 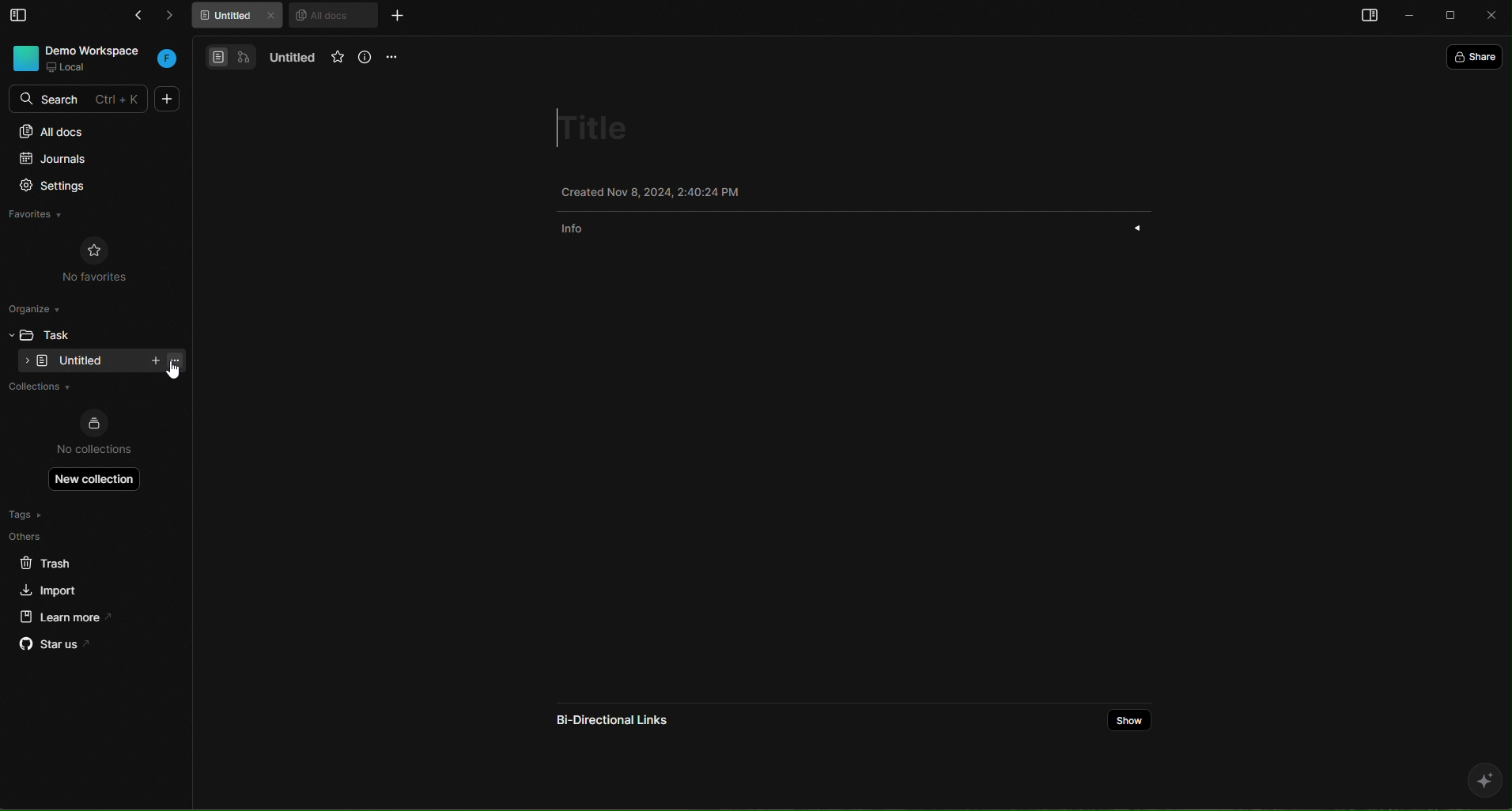 What do you see at coordinates (51, 217) in the screenshot?
I see `favorites` at bounding box center [51, 217].